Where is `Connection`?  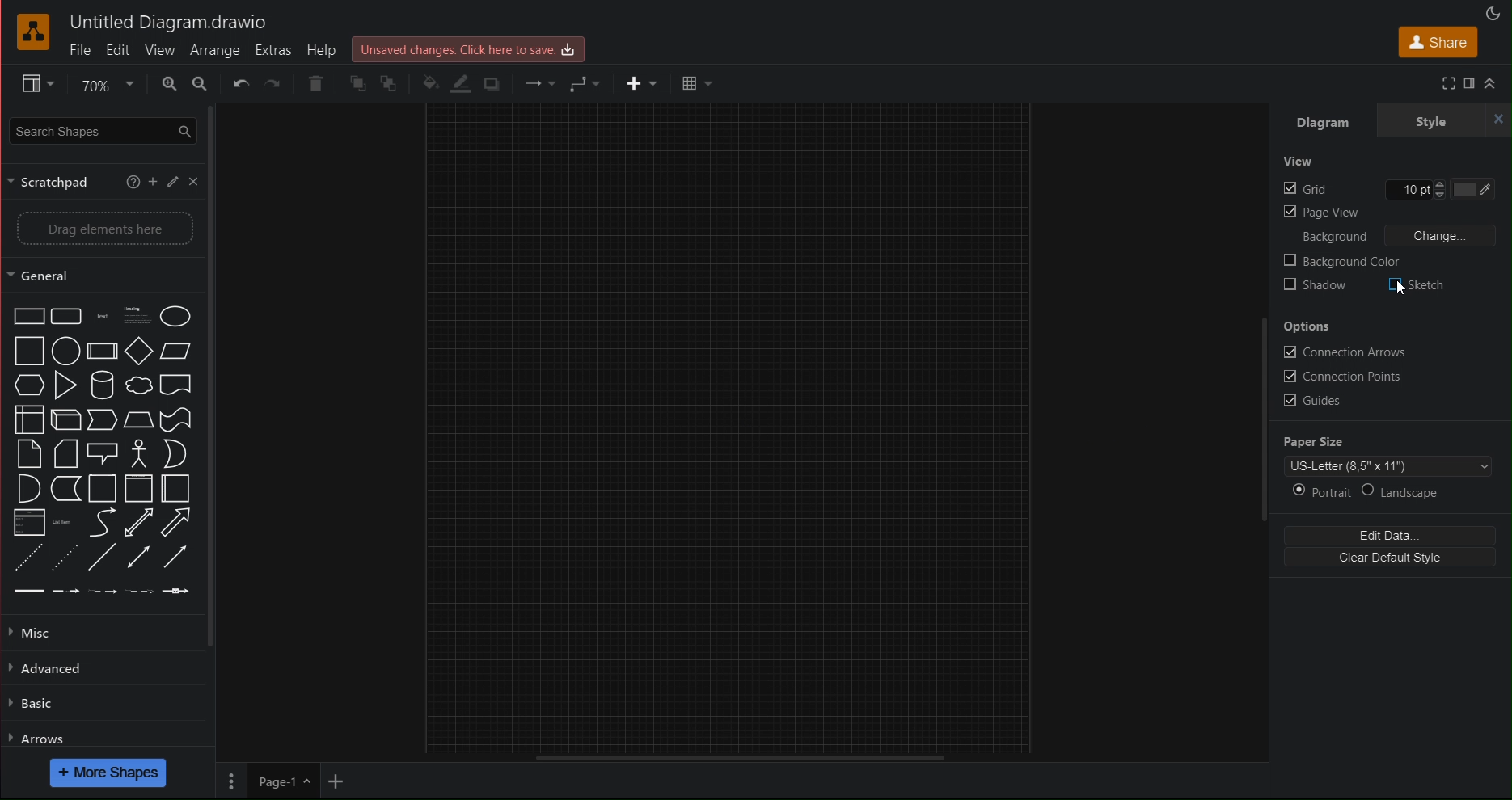 Connection is located at coordinates (536, 82).